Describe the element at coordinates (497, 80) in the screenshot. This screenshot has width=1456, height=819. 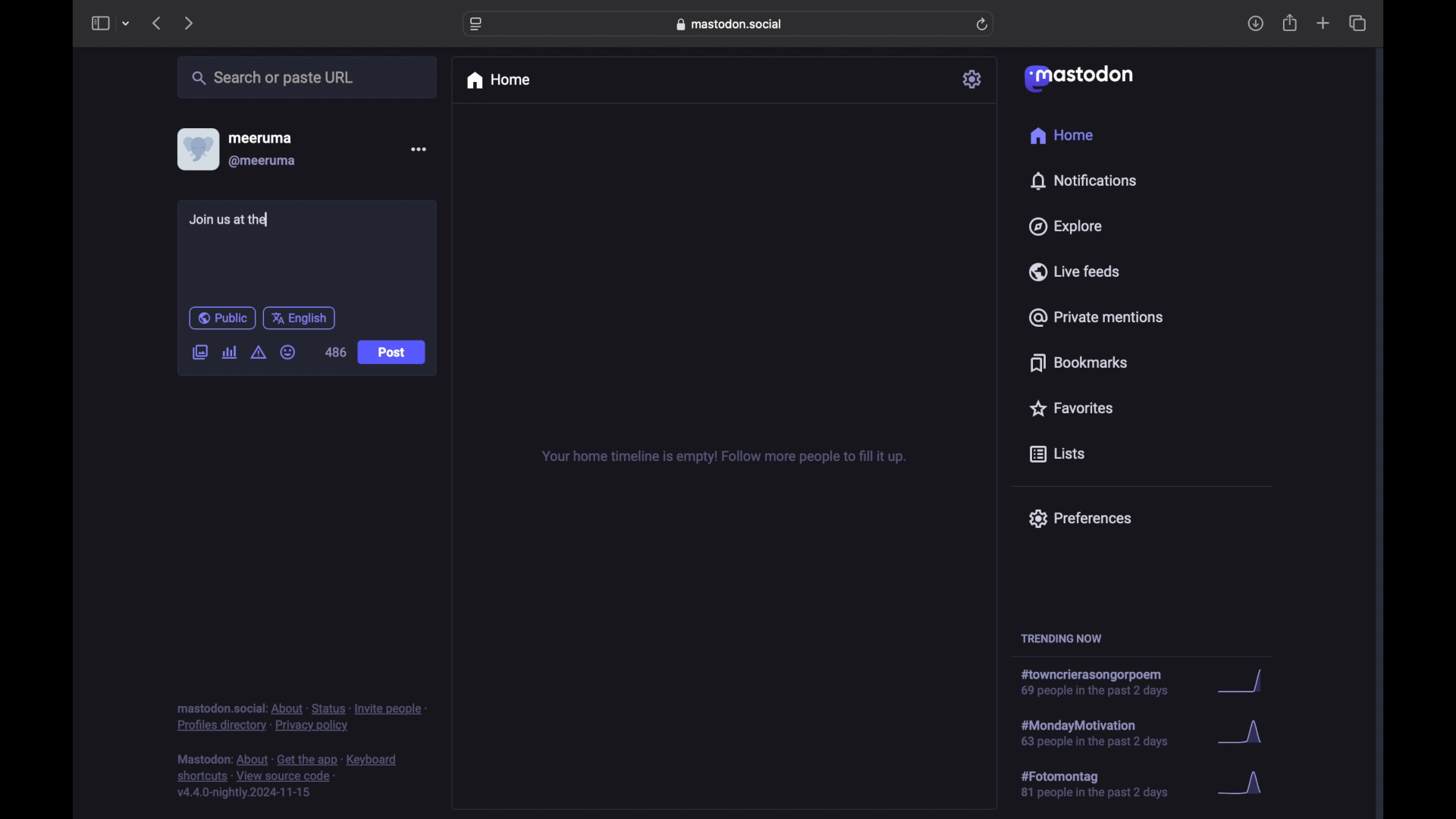
I see `home` at that location.